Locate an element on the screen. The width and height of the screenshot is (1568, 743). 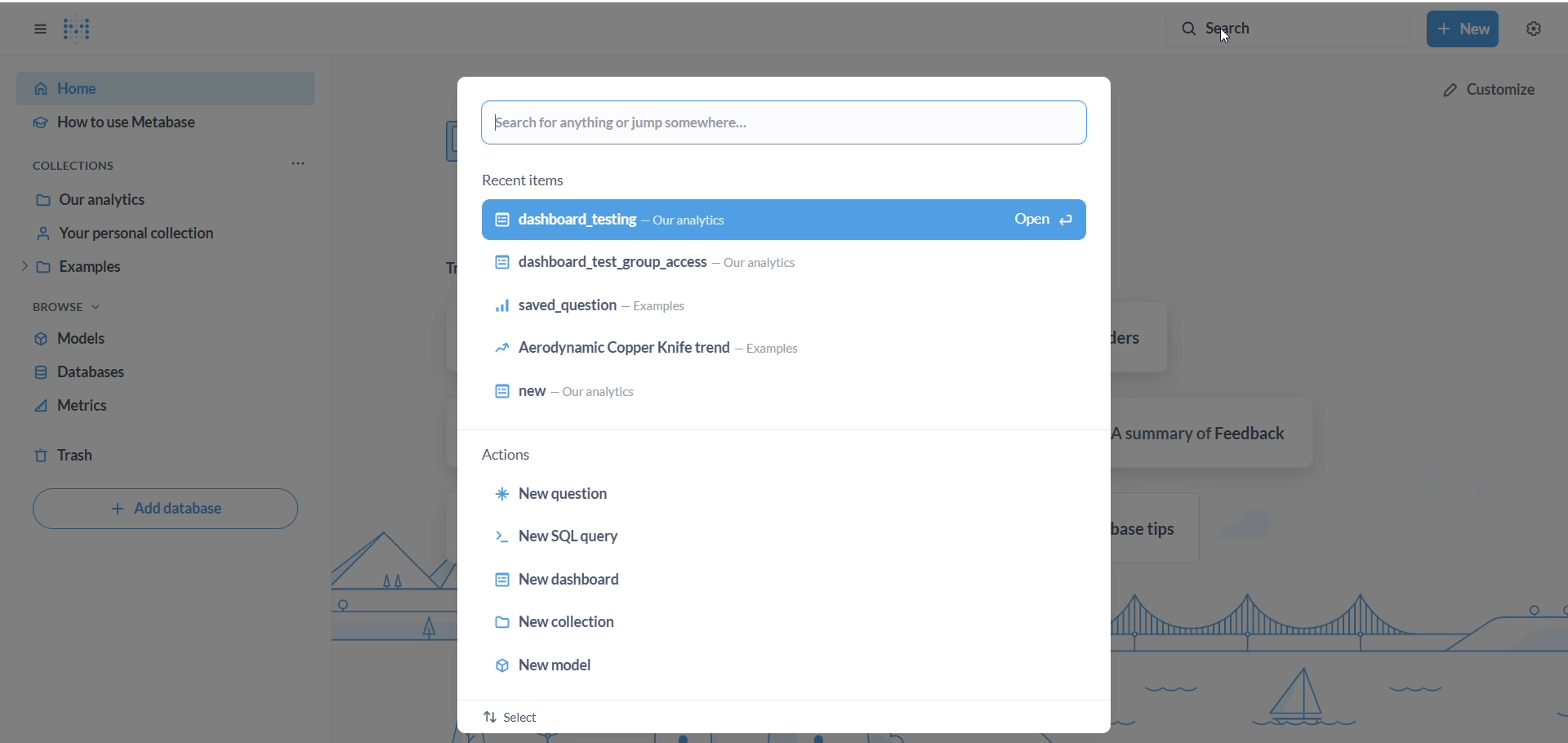
recent item  is located at coordinates (531, 180).